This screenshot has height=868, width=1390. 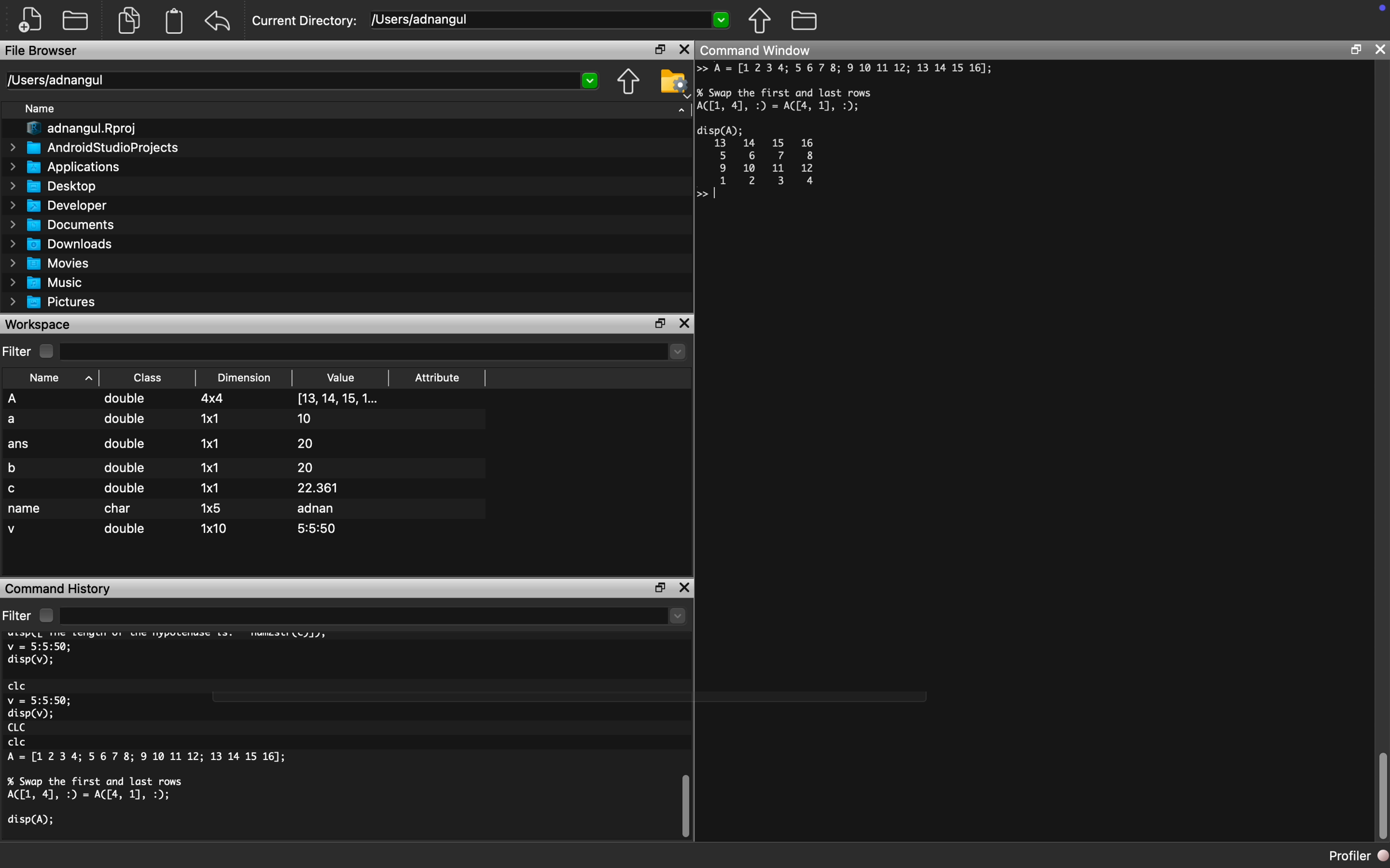 What do you see at coordinates (31, 19) in the screenshot?
I see `New script` at bounding box center [31, 19].